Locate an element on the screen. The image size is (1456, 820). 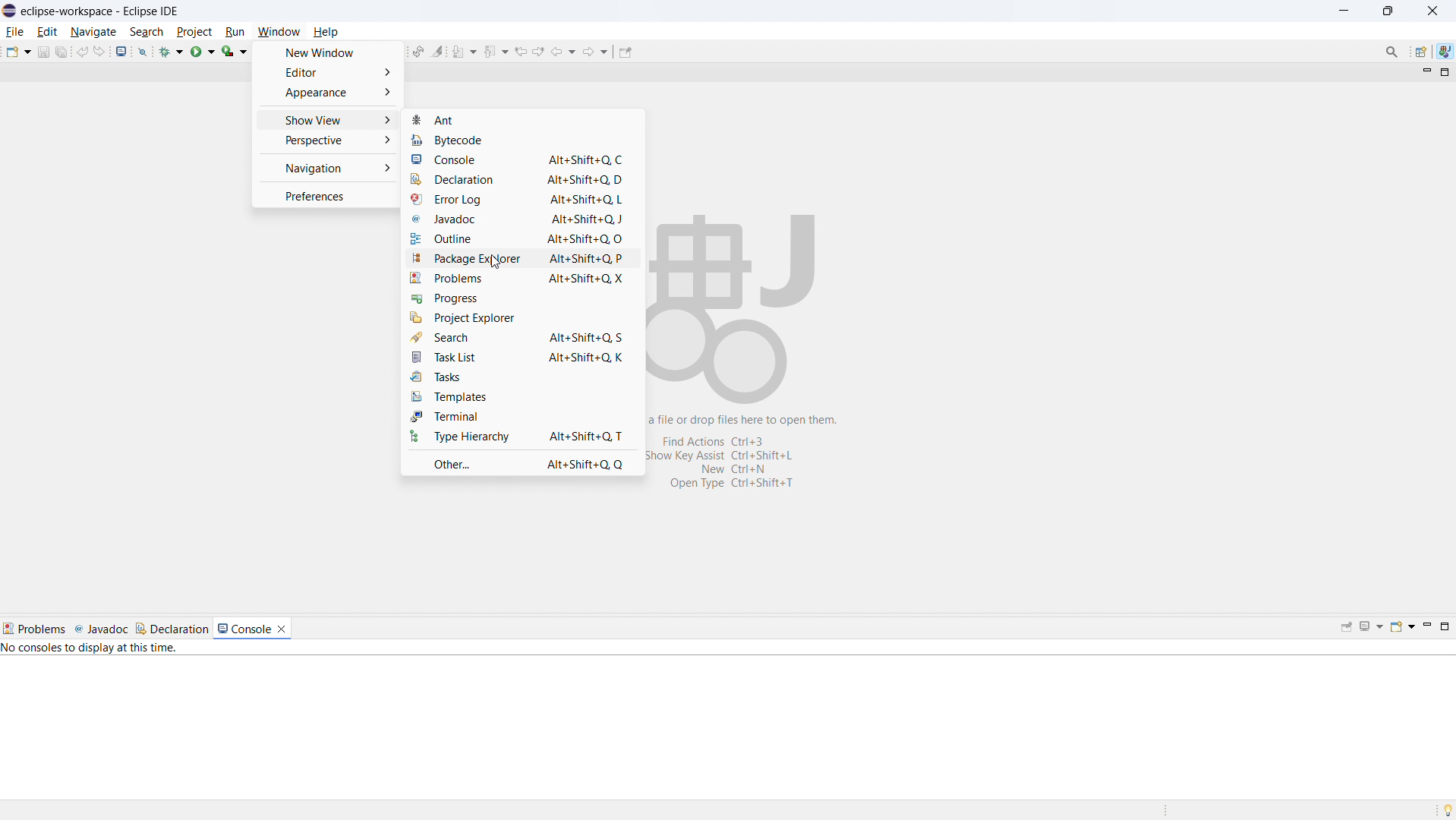
open console is located at coordinates (1401, 627).